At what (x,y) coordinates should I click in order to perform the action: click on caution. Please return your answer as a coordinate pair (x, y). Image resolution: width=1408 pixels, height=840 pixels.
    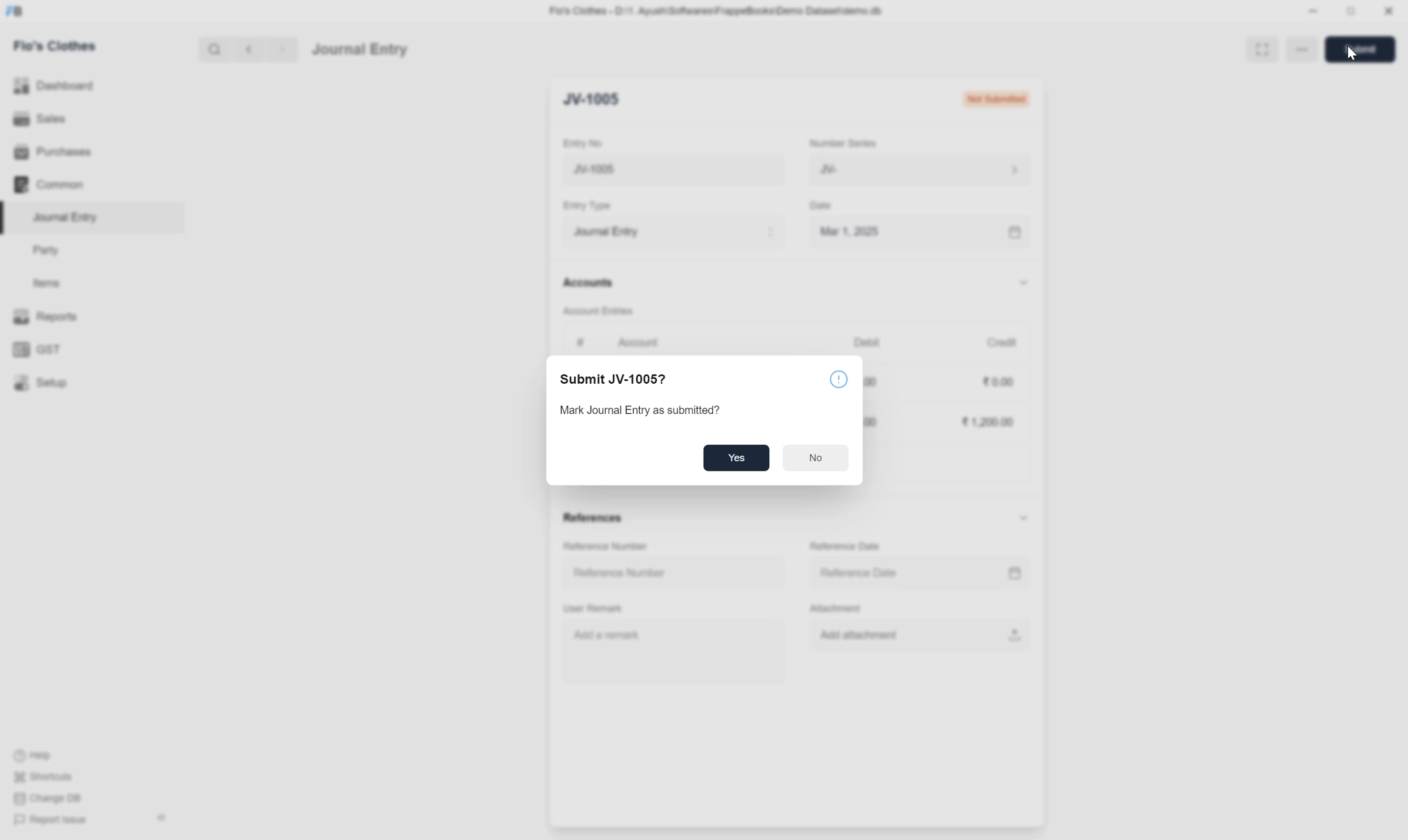
    Looking at the image, I should click on (840, 380).